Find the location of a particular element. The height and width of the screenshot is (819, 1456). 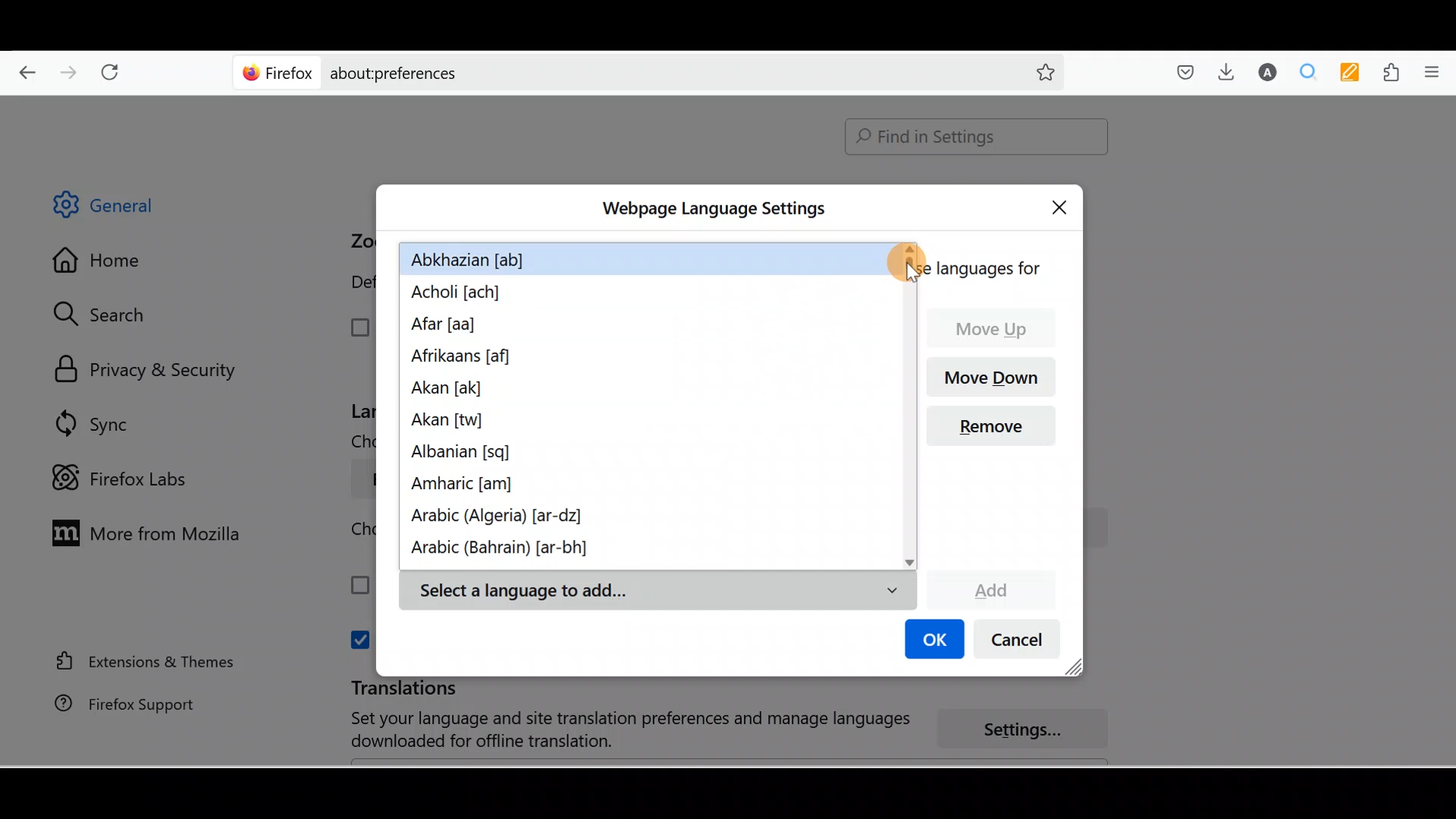

Arabic (Bahrain) [ar-bh] is located at coordinates (497, 553).